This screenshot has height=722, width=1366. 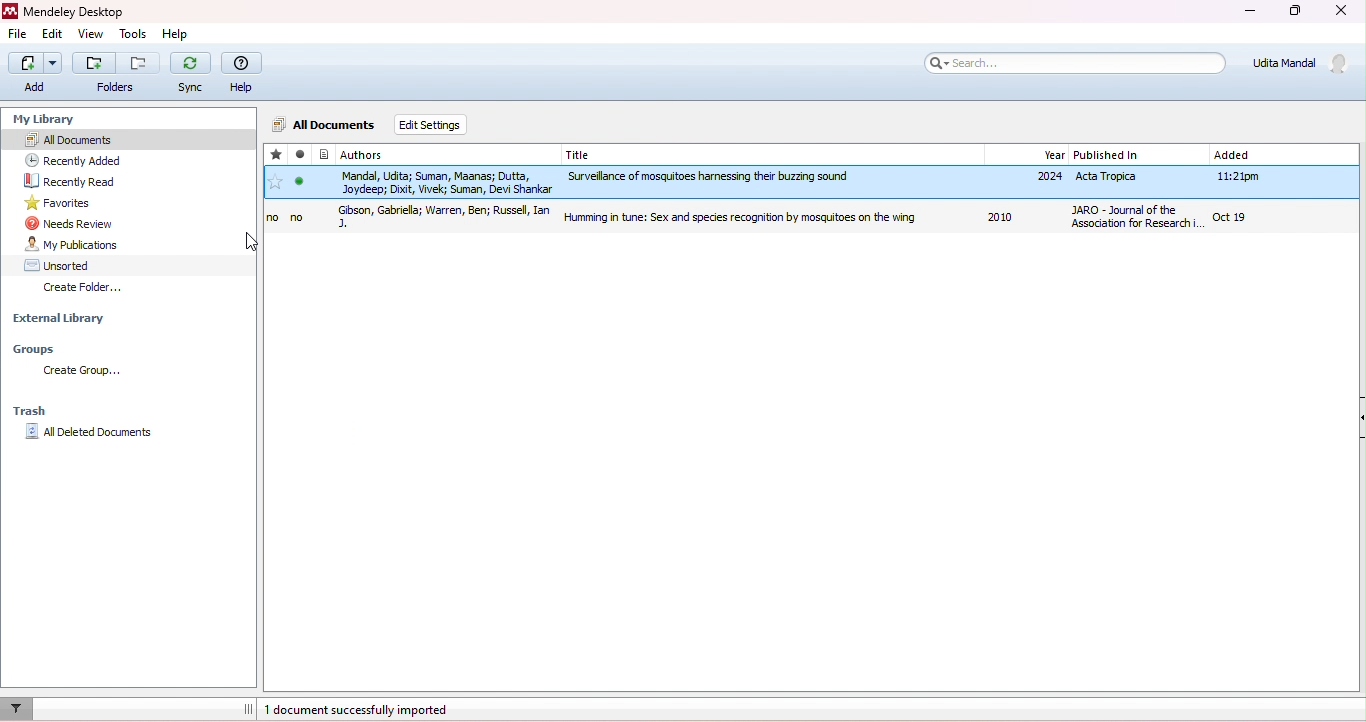 What do you see at coordinates (296, 218) in the screenshot?
I see `no` at bounding box center [296, 218].